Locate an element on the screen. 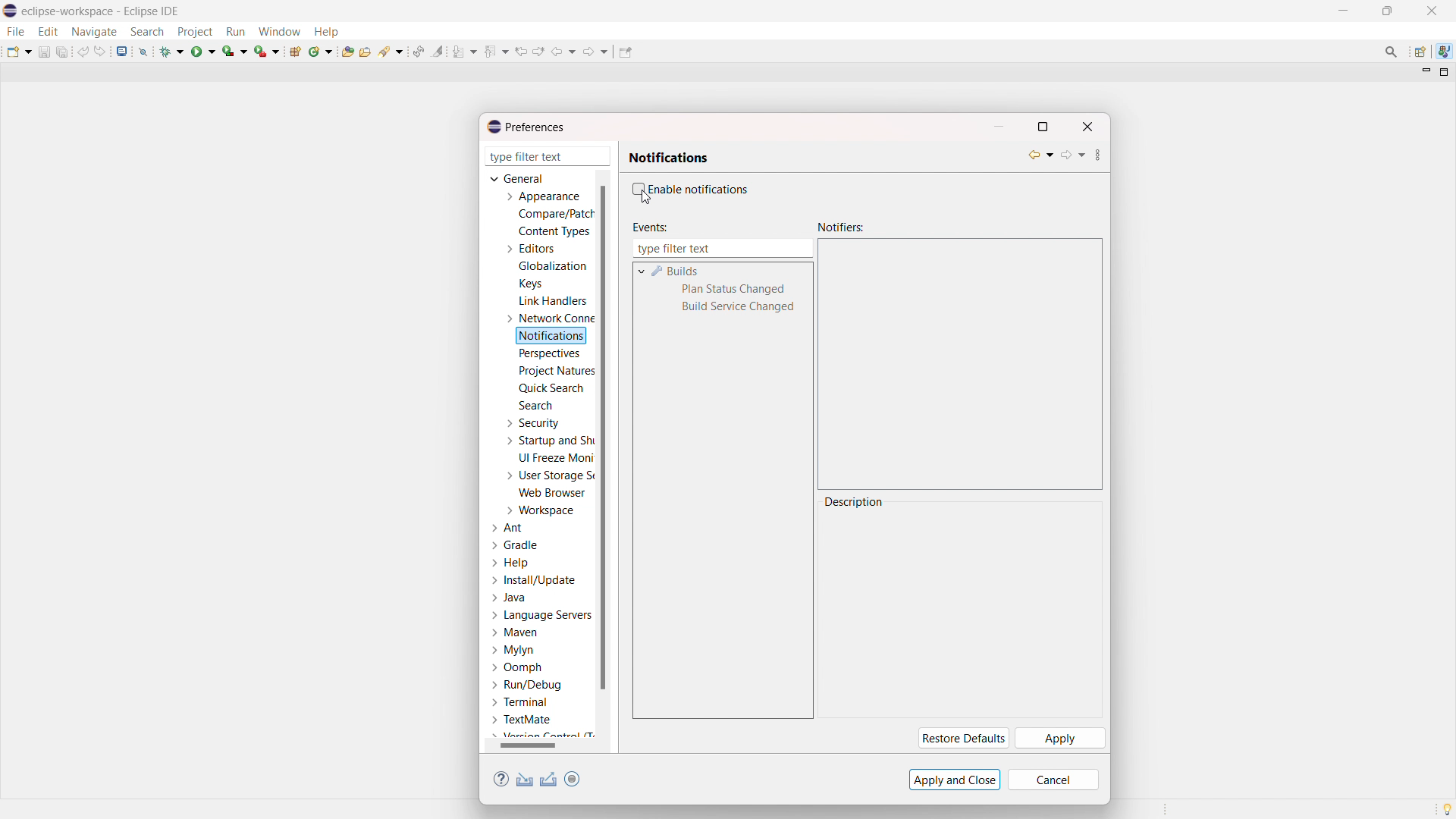  type filter text is located at coordinates (722, 249).